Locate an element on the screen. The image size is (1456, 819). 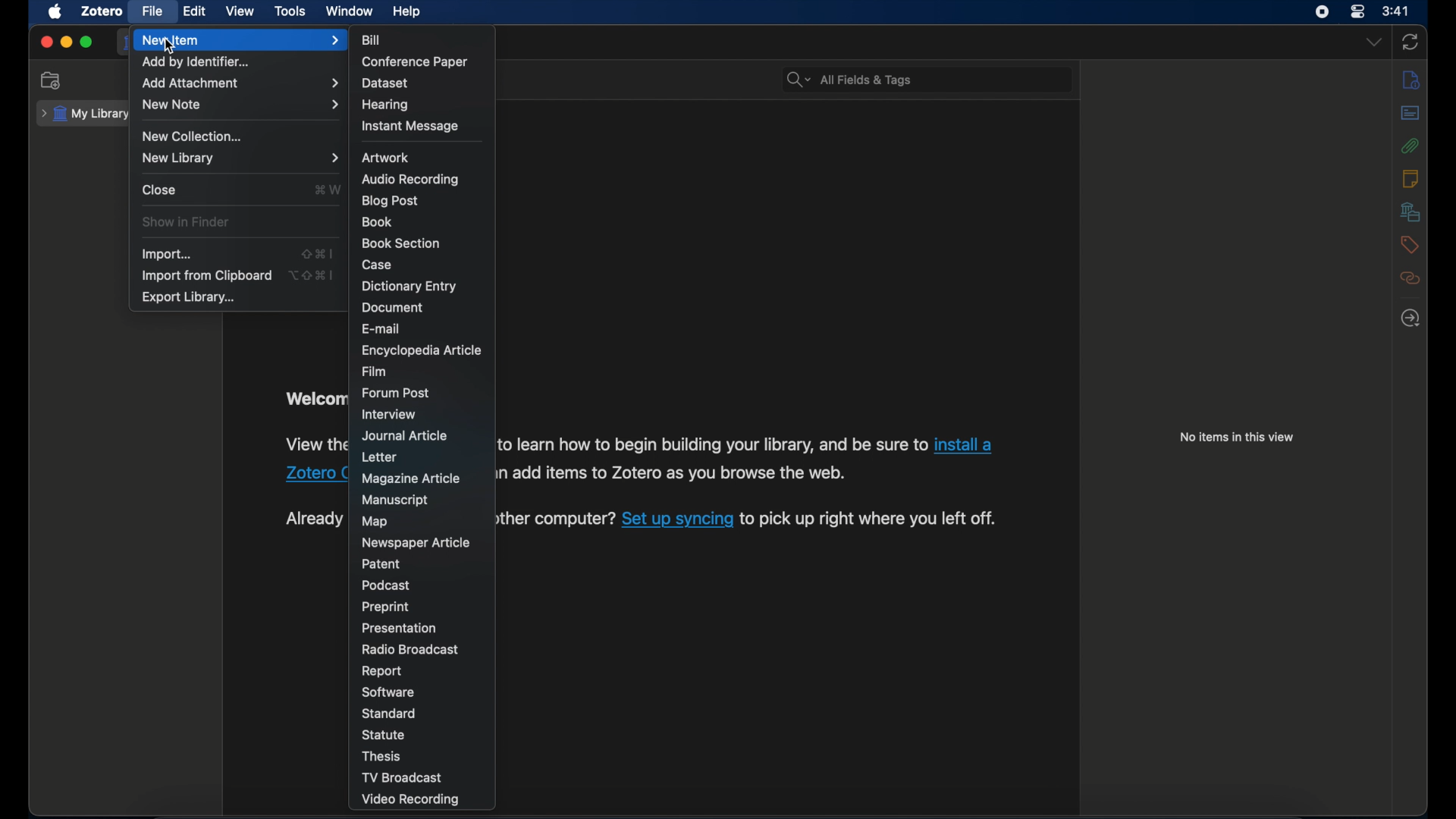
syncing installation is located at coordinates (310, 519).